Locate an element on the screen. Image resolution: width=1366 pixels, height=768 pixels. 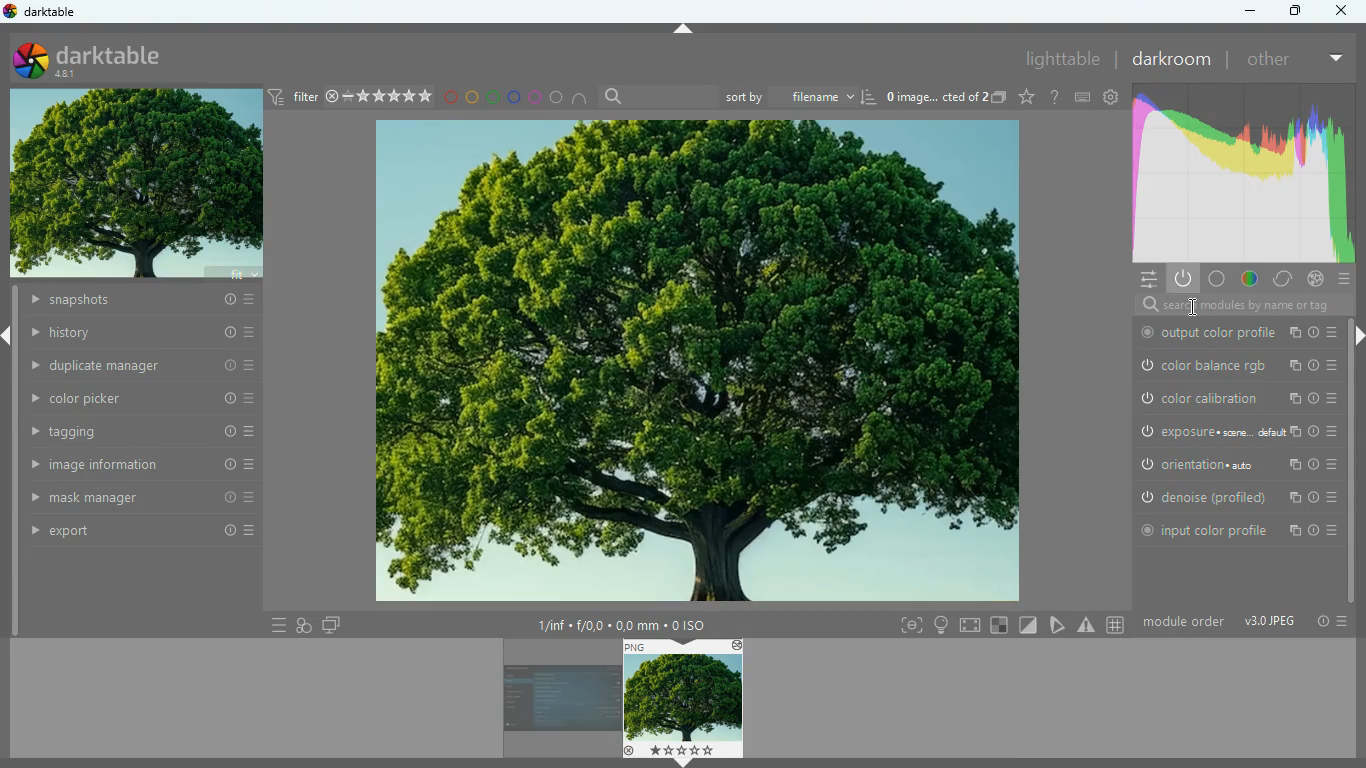
history is located at coordinates (144, 333).